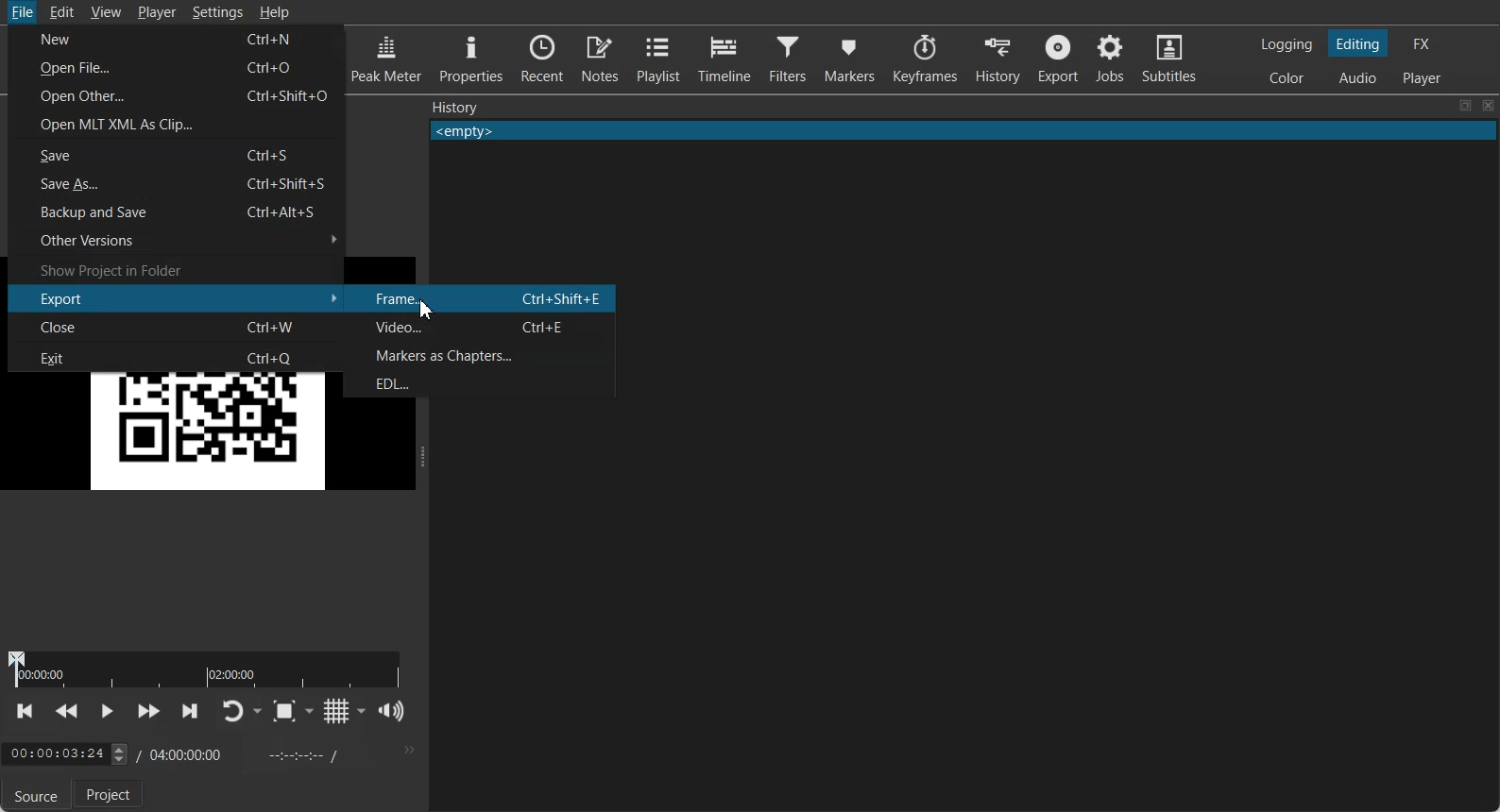  Describe the element at coordinates (177, 125) in the screenshot. I see `Open MLT XML as Clip` at that location.